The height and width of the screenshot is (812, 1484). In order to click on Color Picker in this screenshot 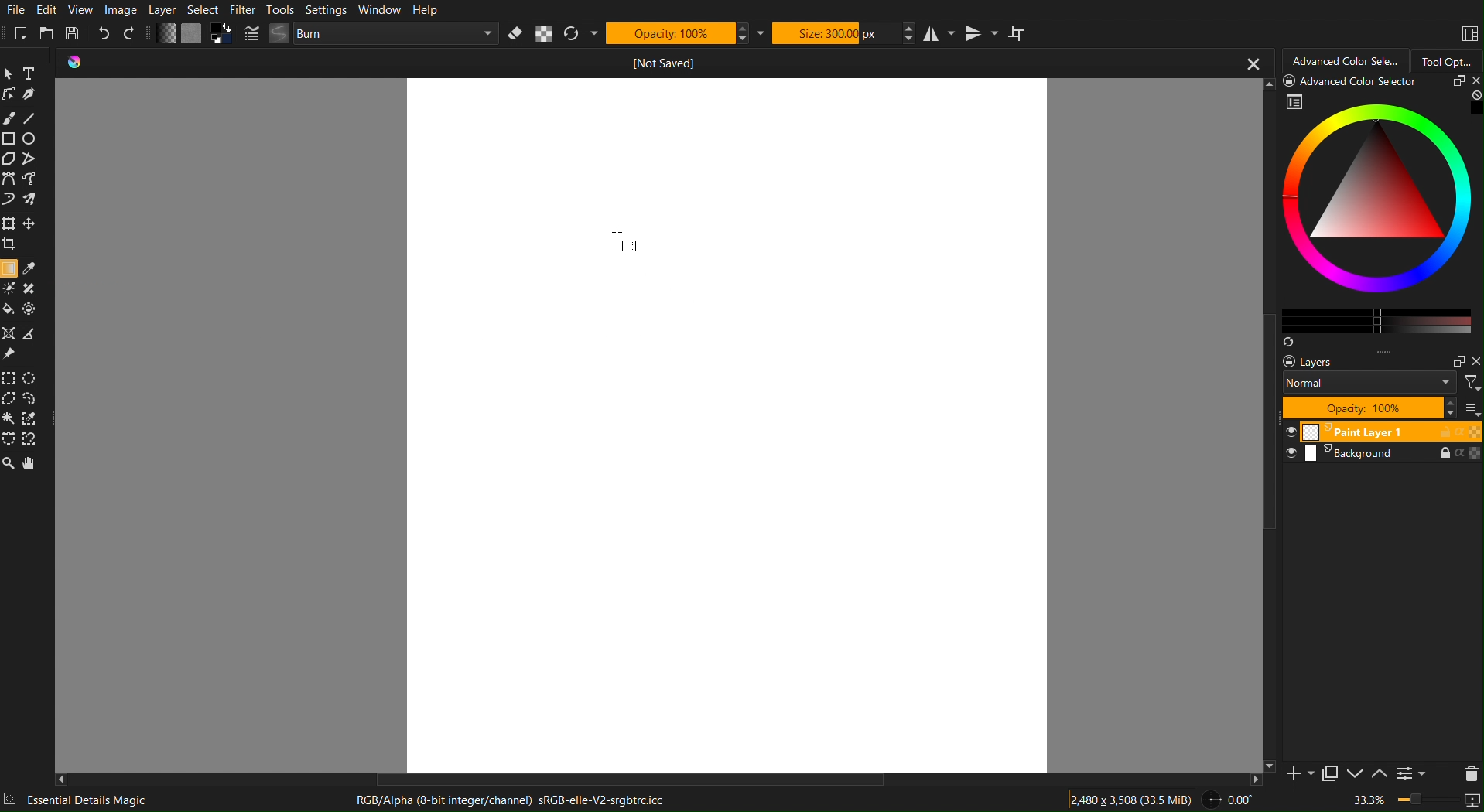, I will do `click(32, 268)`.